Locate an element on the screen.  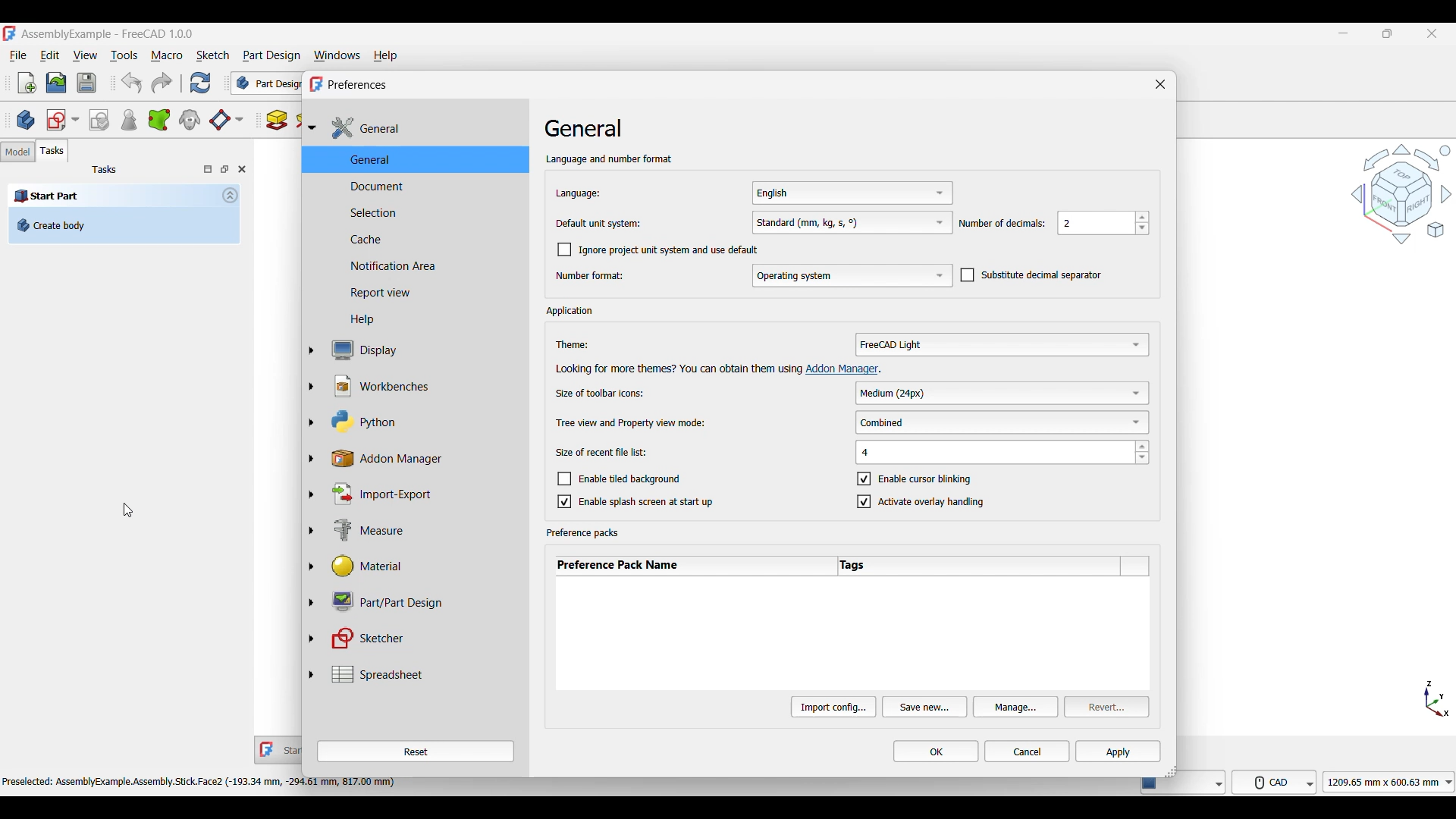
Tools menu is located at coordinates (124, 56).